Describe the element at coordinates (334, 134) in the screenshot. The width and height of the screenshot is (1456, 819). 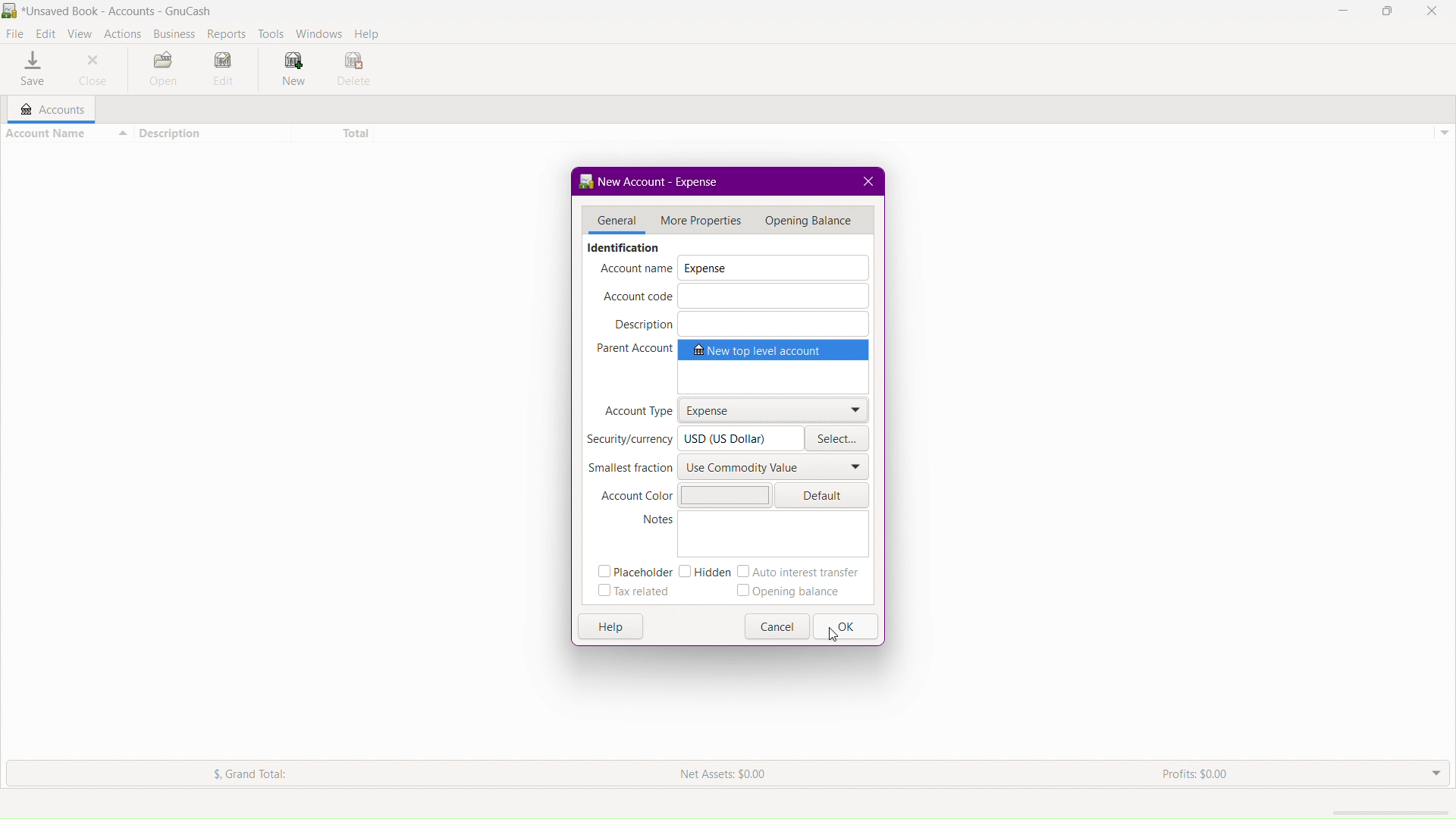
I see `Total` at that location.